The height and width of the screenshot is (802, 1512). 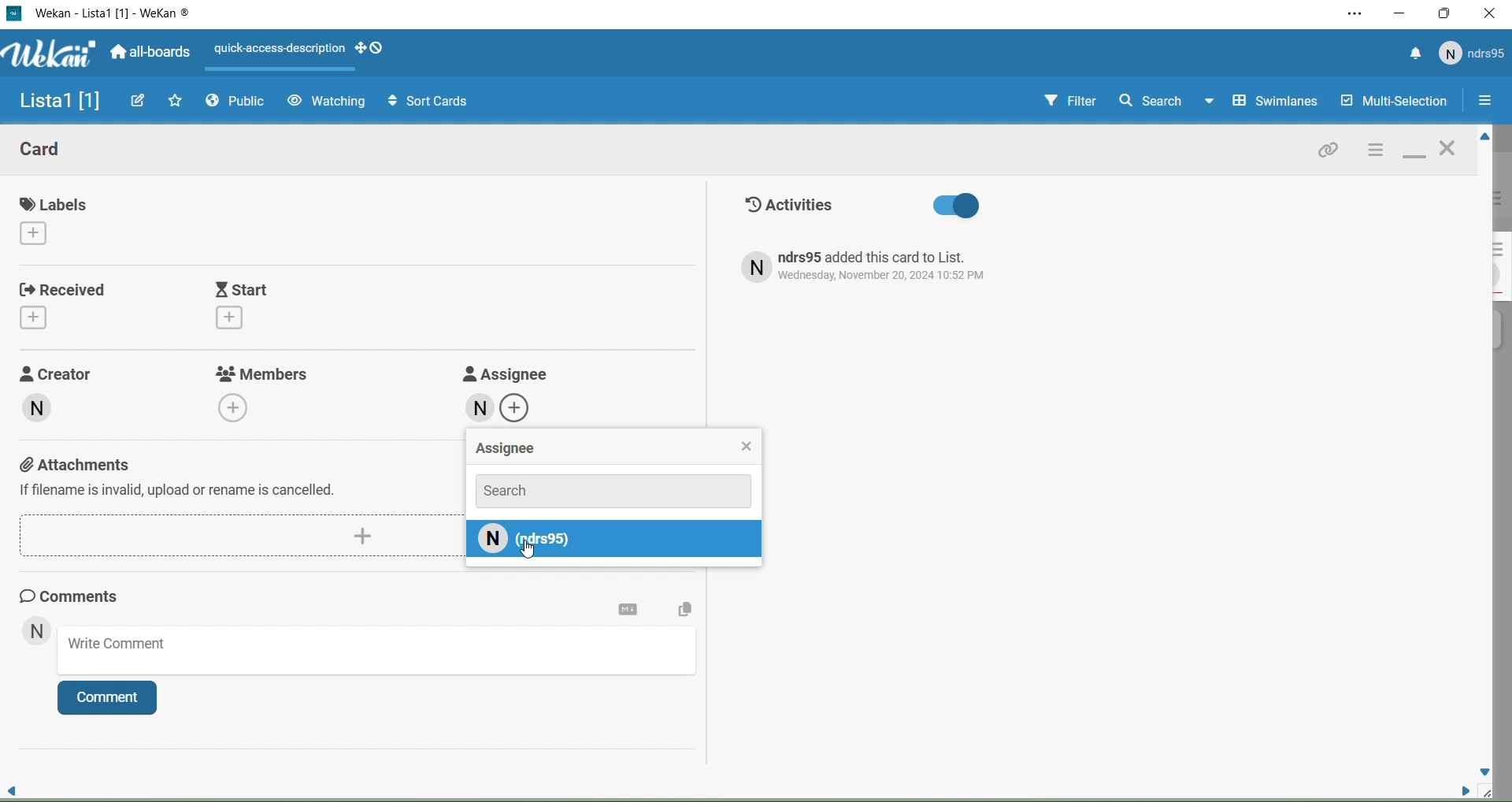 I want to click on move up, so click(x=1482, y=138).